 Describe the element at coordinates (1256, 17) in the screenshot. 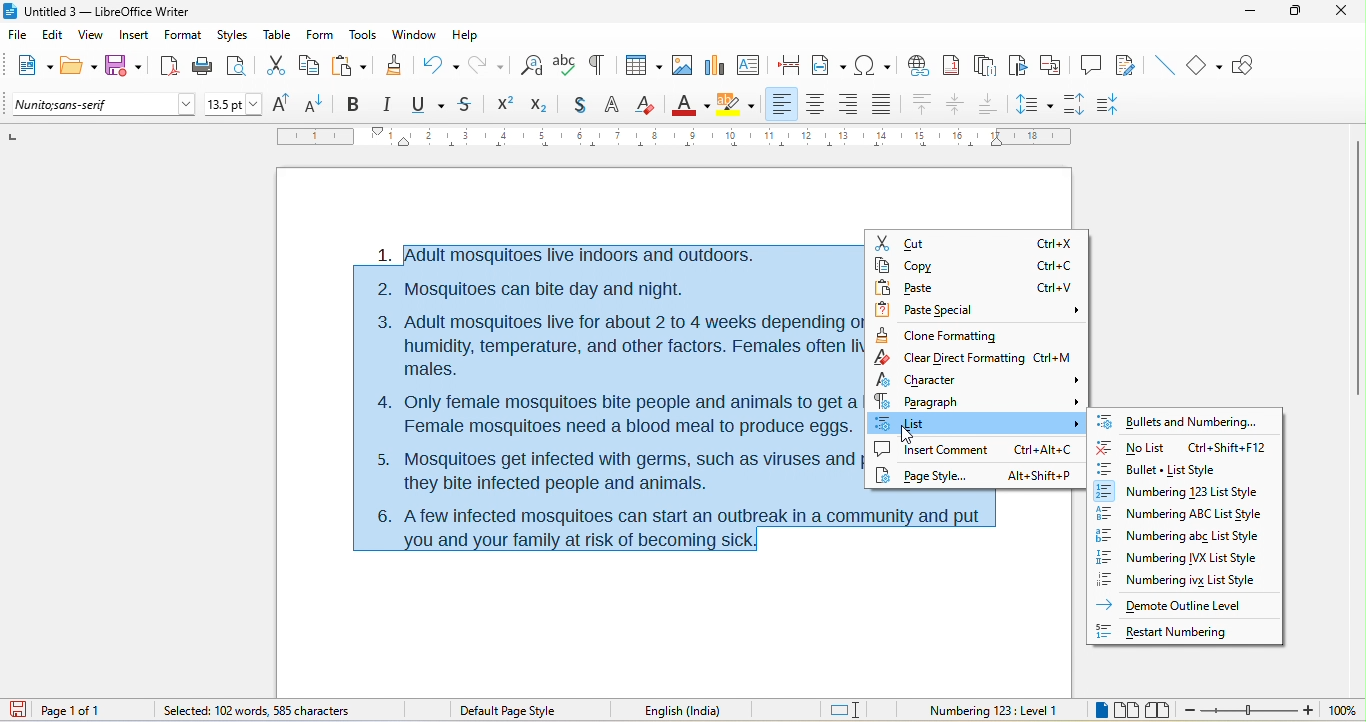

I see `minimize` at that location.